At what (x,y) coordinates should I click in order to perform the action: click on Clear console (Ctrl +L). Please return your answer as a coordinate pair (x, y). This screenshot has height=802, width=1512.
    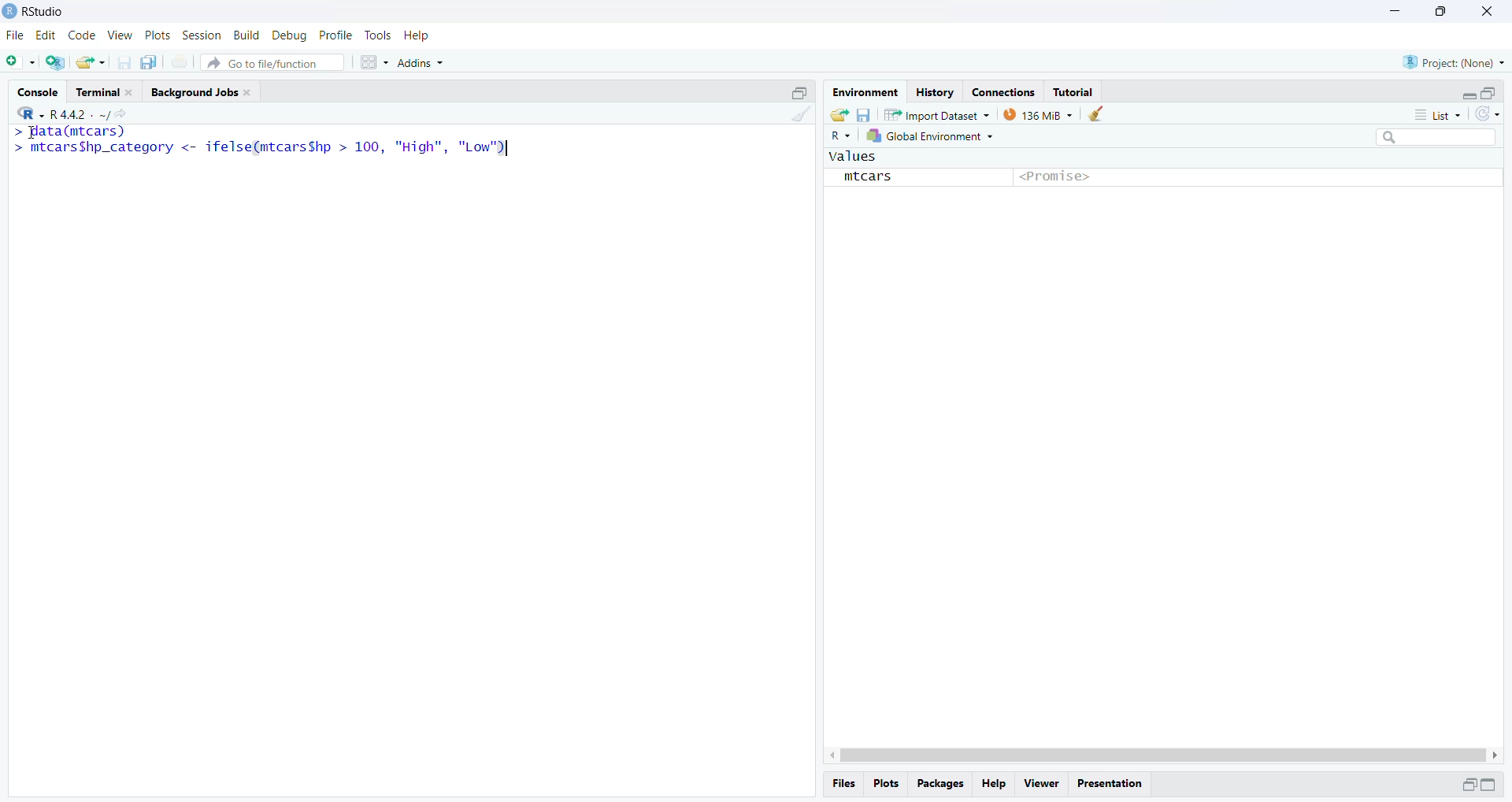
    Looking at the image, I should click on (1096, 114).